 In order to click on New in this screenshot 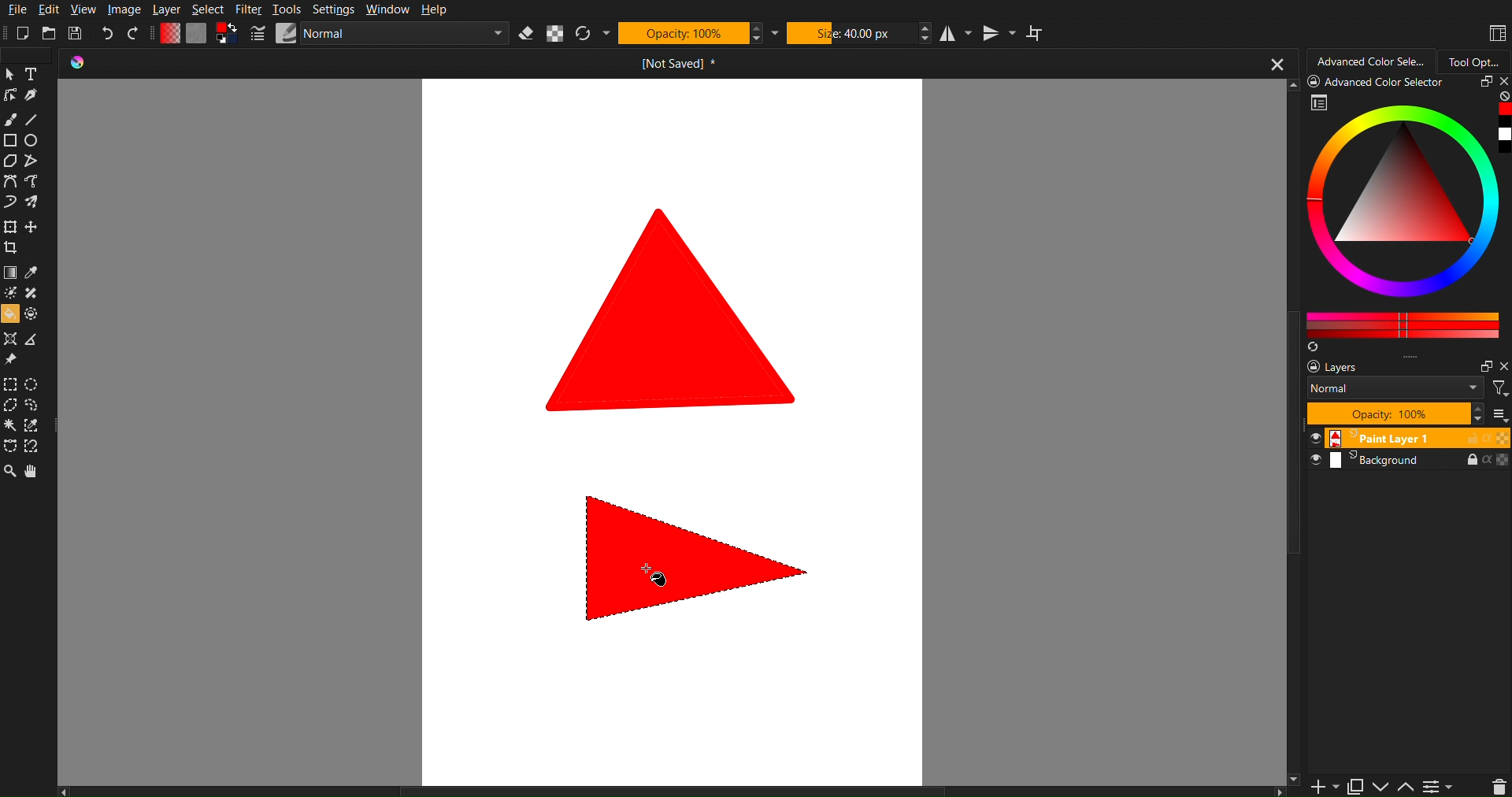, I will do `click(22, 33)`.